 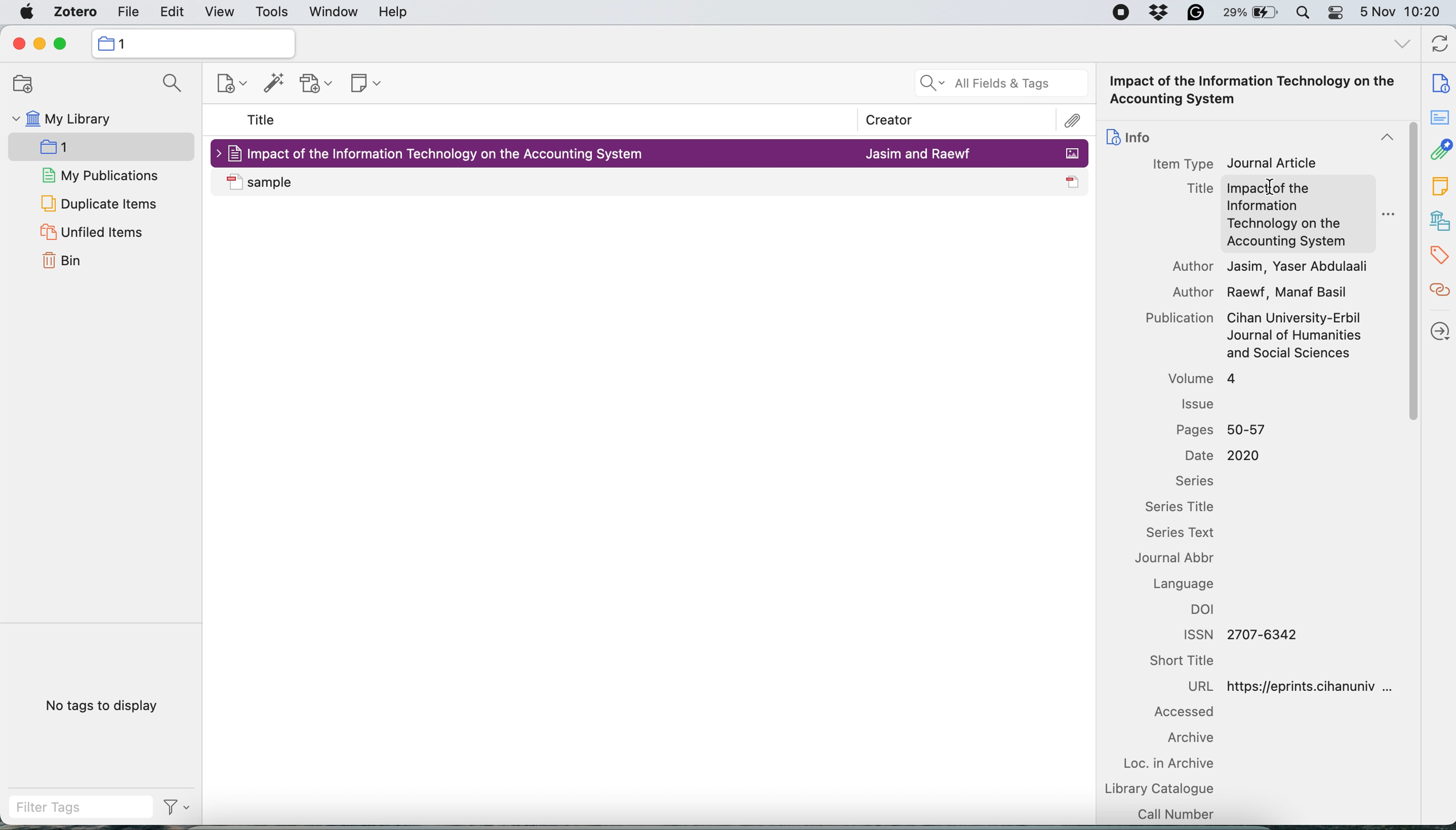 I want to click on URL https://eprints.cihanuniv ..., so click(x=1290, y=686).